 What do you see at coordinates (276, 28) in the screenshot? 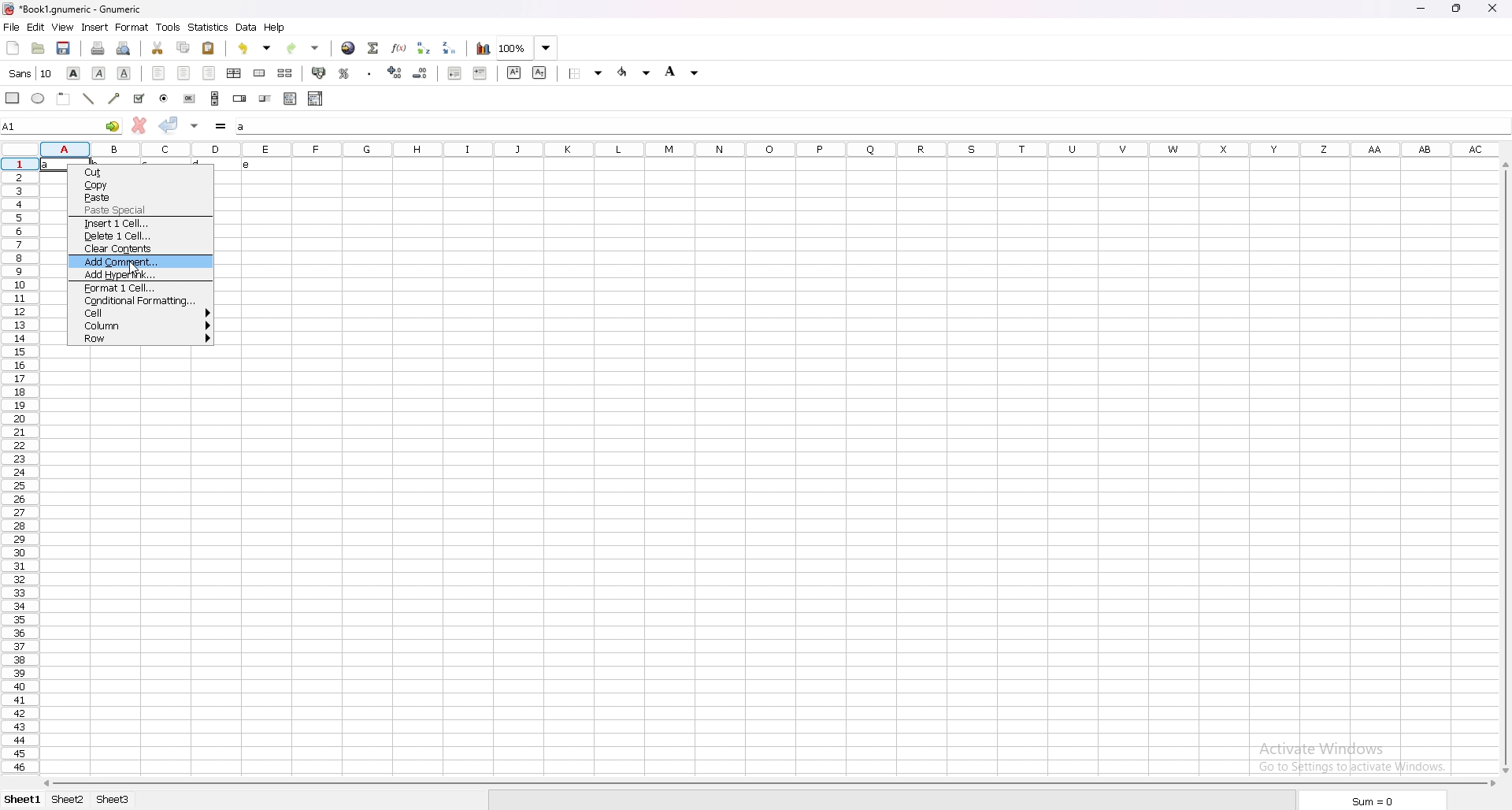
I see `help` at bounding box center [276, 28].